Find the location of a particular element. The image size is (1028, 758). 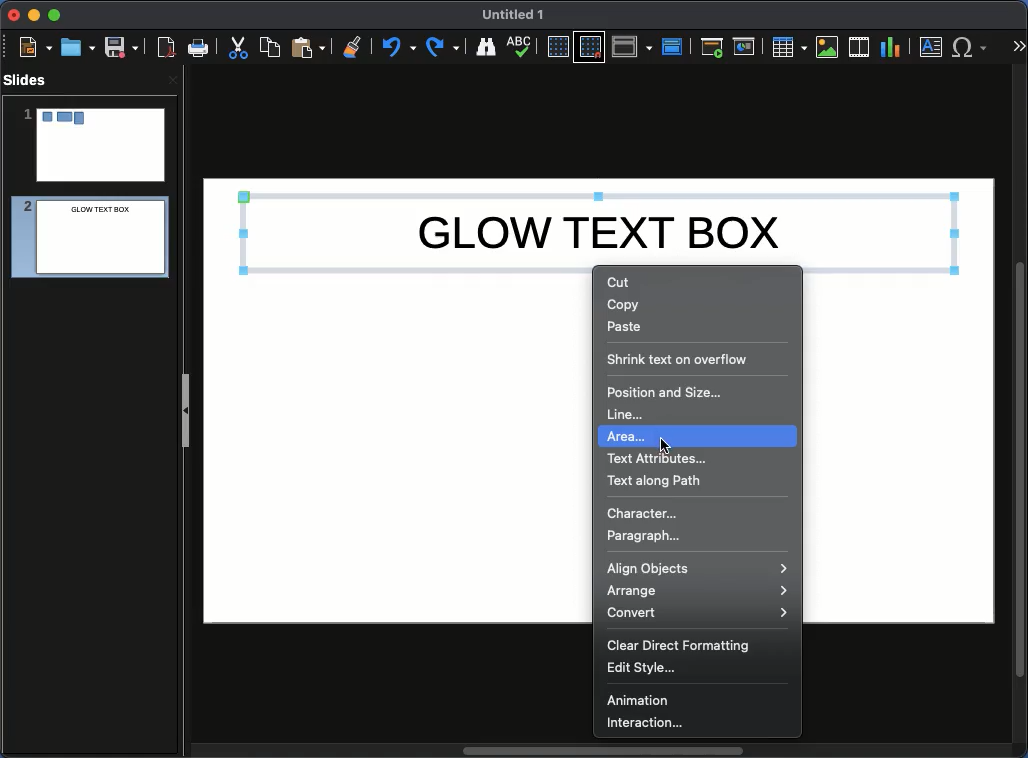

Slide 1 is located at coordinates (93, 145).